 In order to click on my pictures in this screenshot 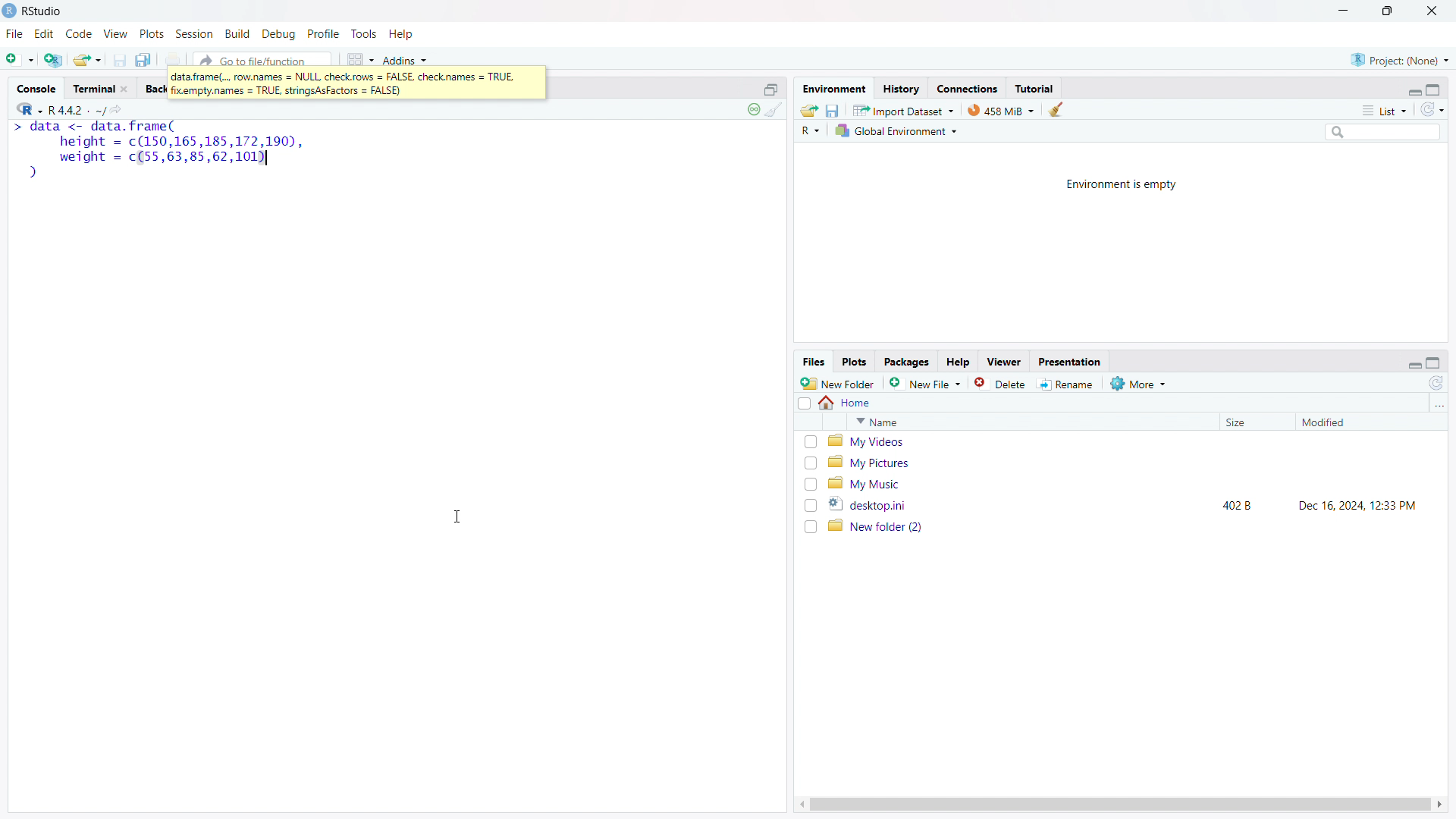, I will do `click(1131, 462)`.